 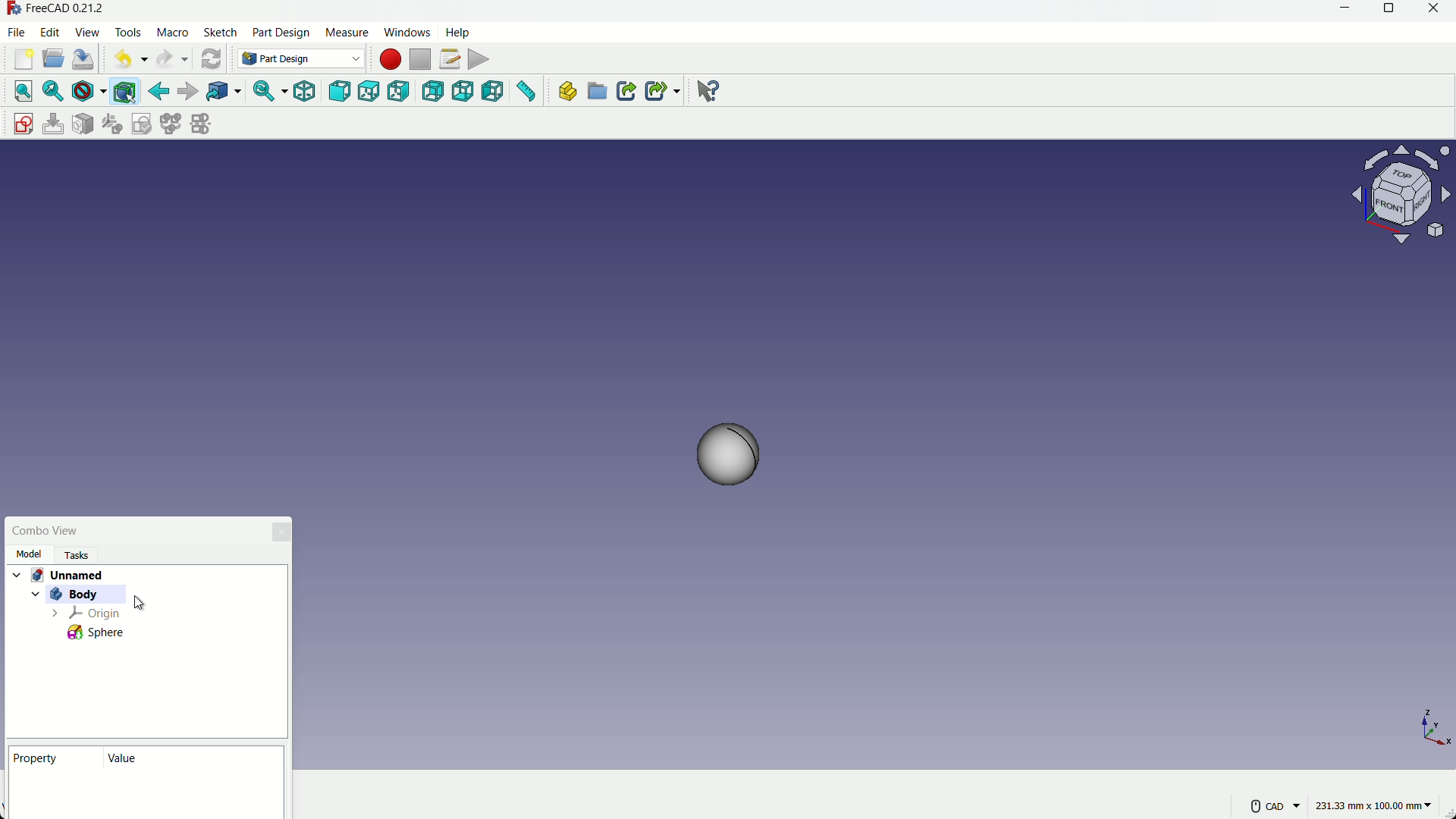 What do you see at coordinates (129, 759) in the screenshot?
I see `Value` at bounding box center [129, 759].